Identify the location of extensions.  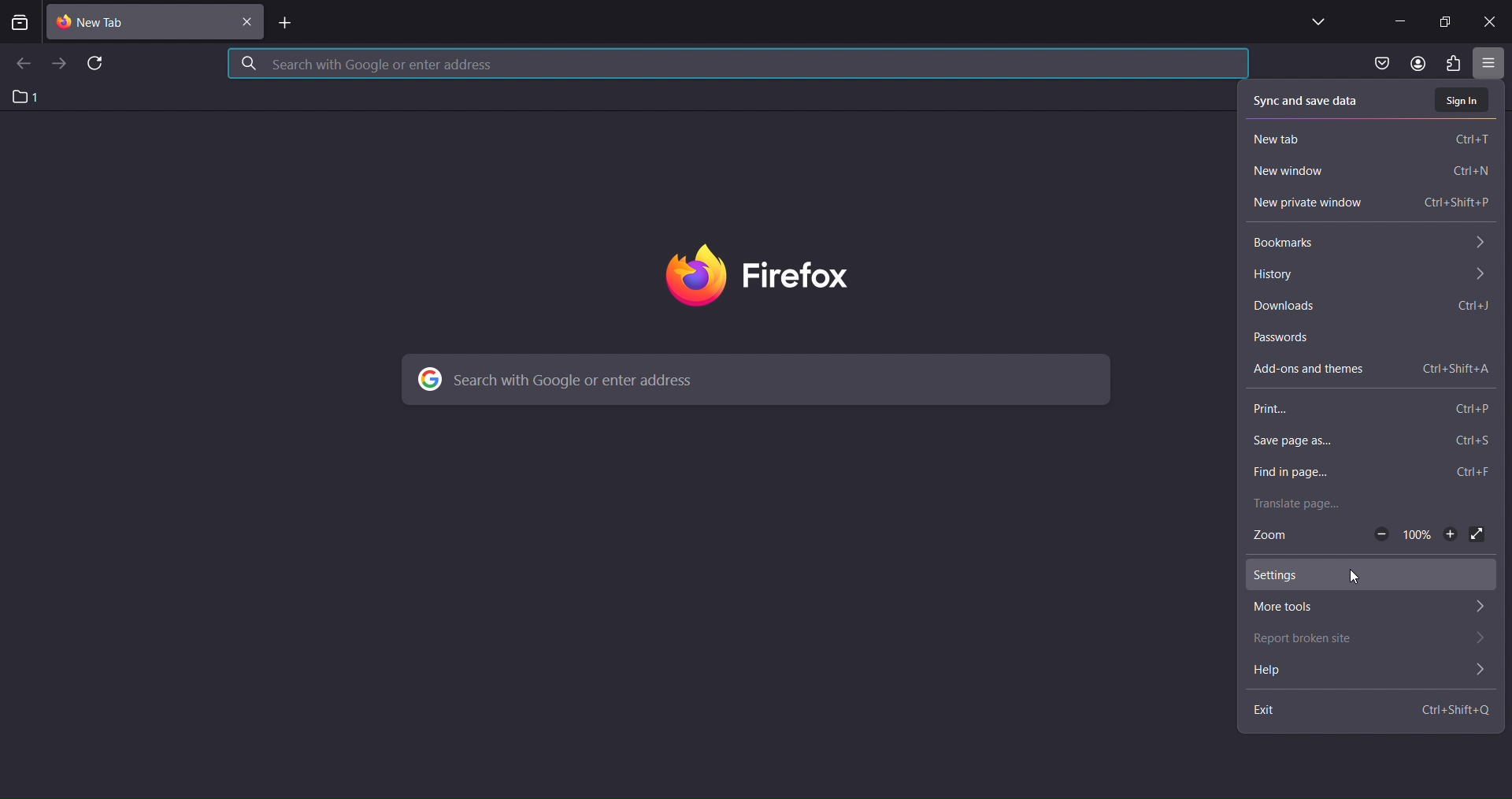
(1454, 65).